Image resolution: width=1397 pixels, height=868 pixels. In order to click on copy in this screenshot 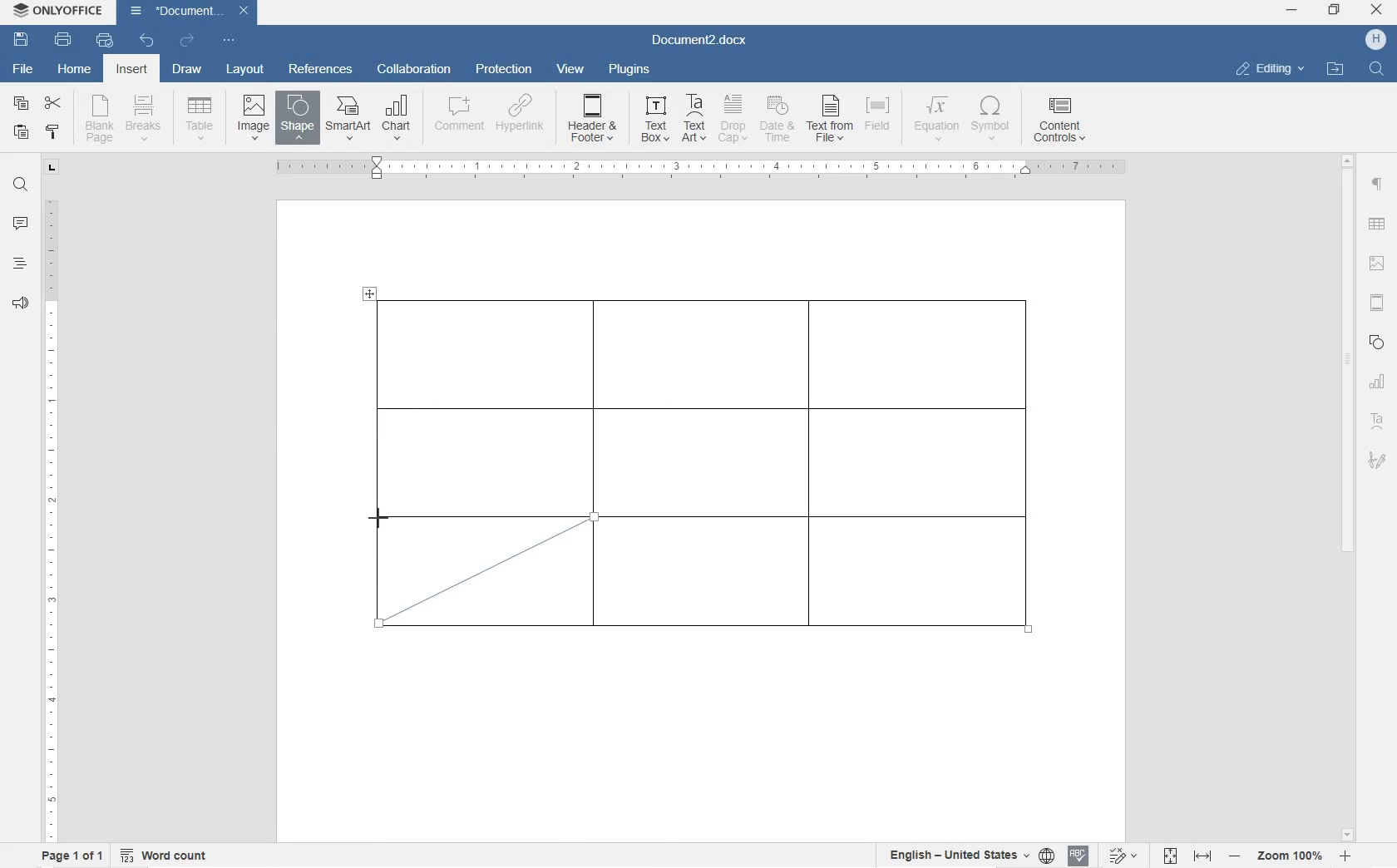, I will do `click(22, 106)`.